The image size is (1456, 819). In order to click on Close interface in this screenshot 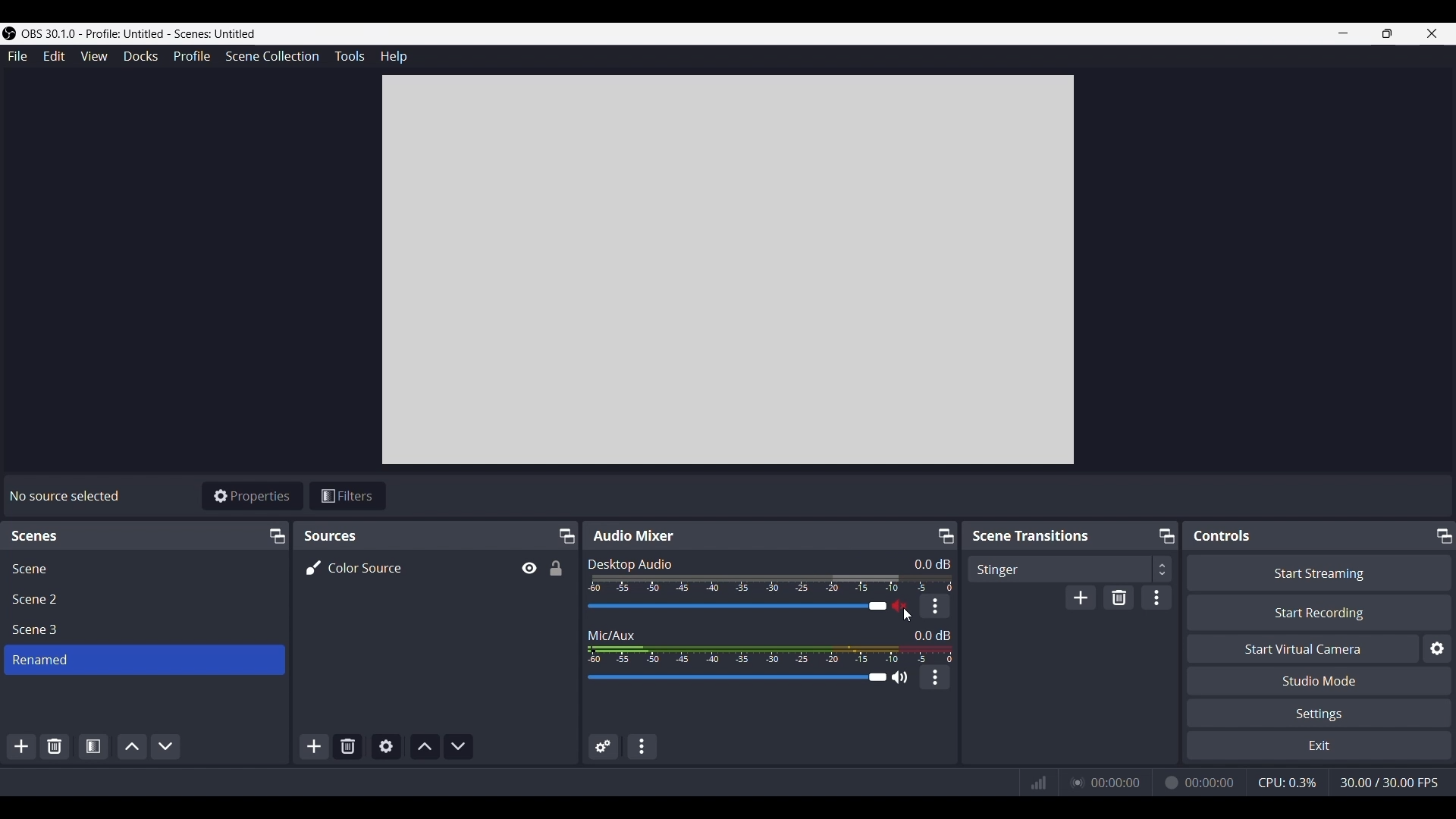, I will do `click(1432, 33)`.